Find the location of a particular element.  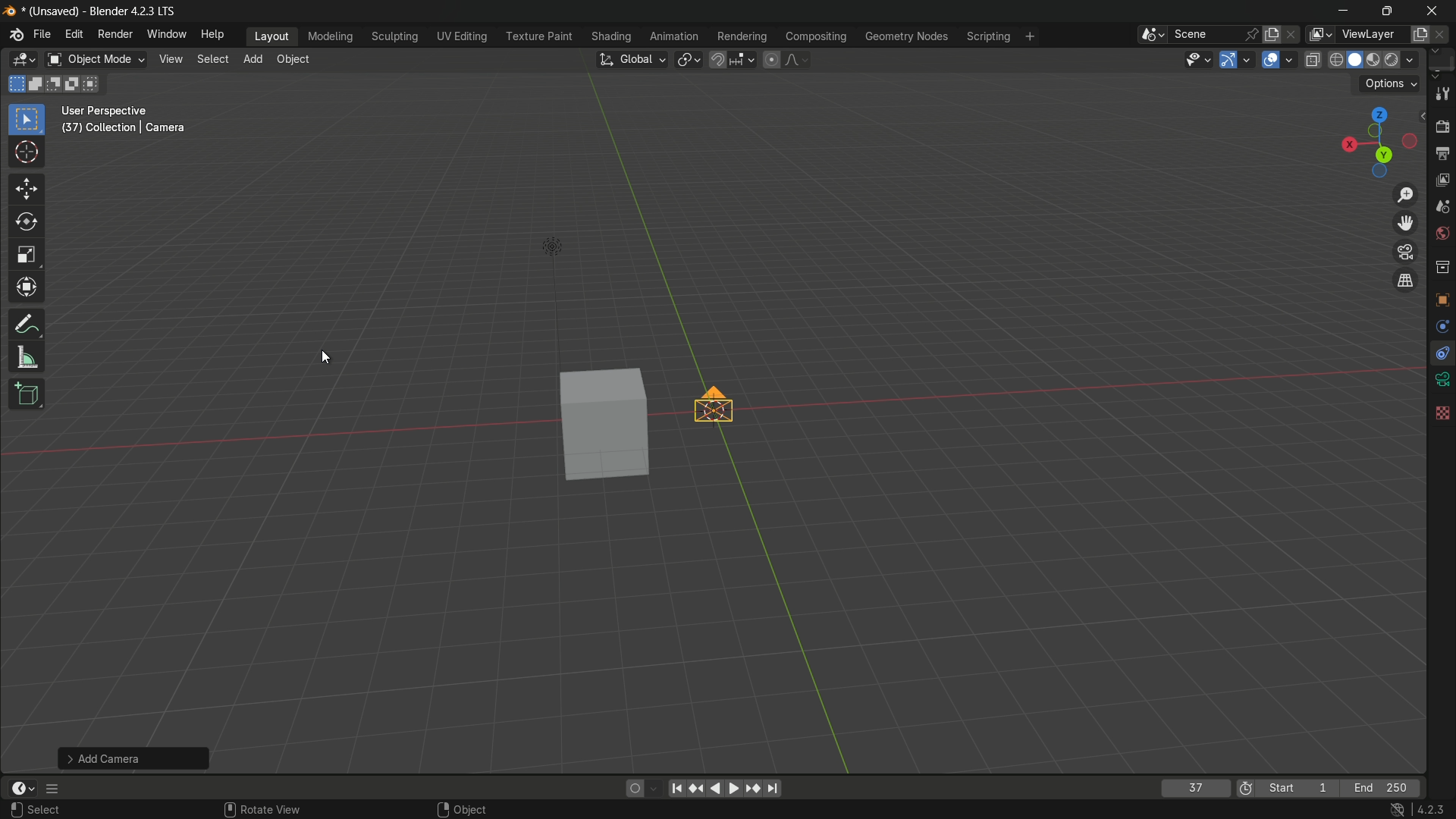

(unsaved) - blender 4.2.3 lts is located at coordinates (101, 11).